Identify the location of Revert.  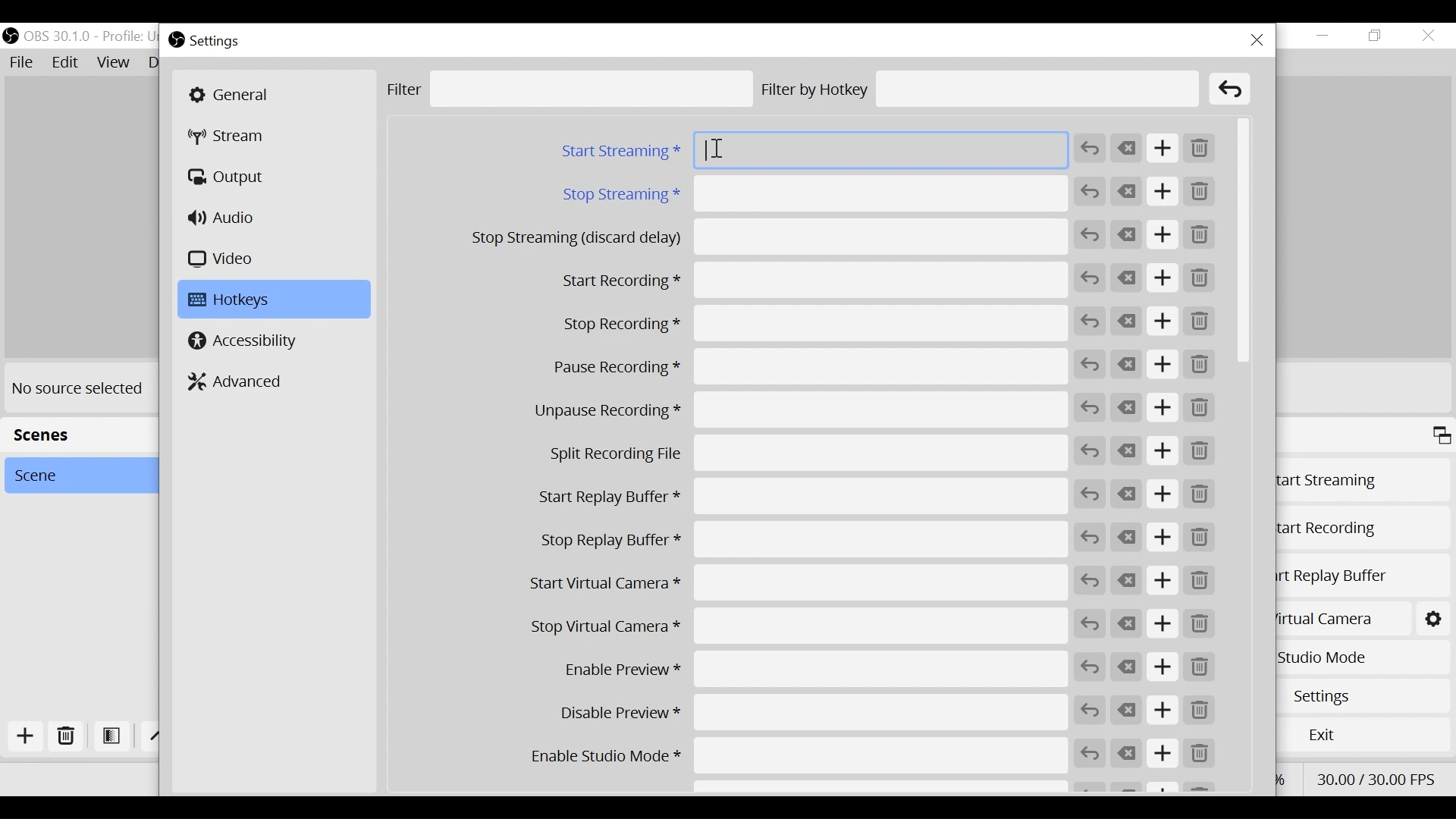
(1090, 406).